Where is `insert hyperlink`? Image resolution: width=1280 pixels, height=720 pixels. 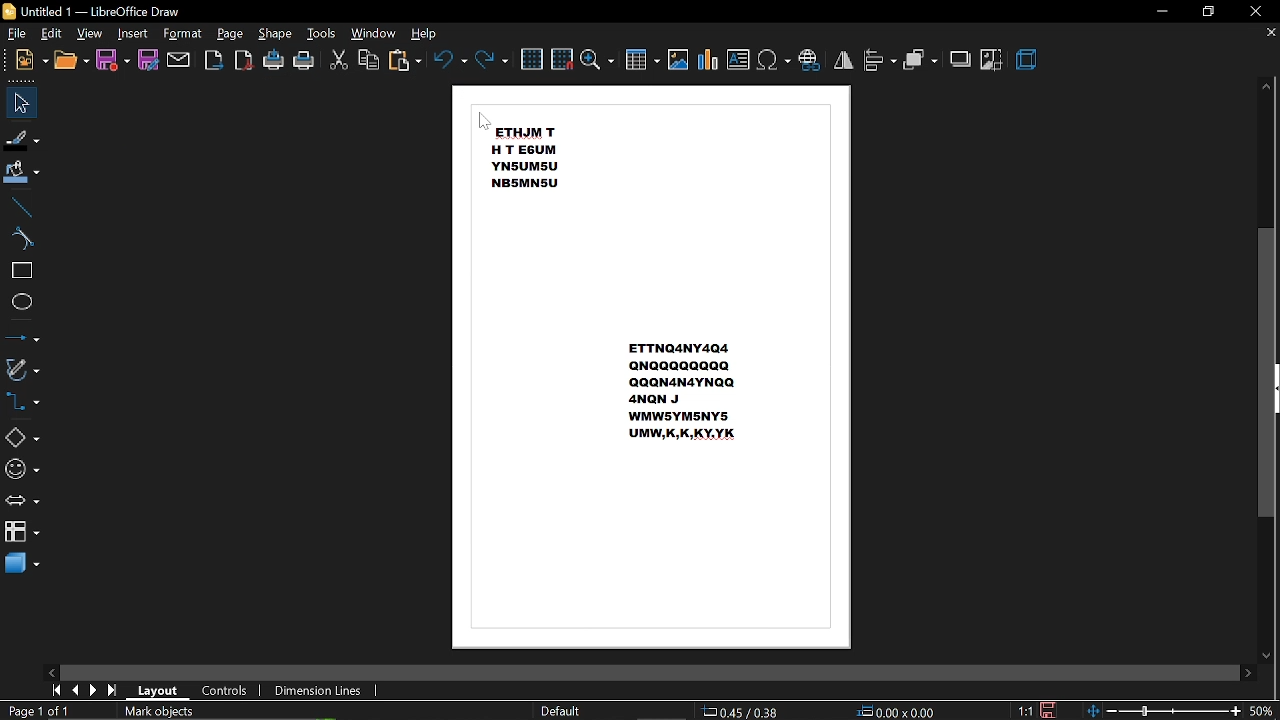
insert hyperlink is located at coordinates (810, 58).